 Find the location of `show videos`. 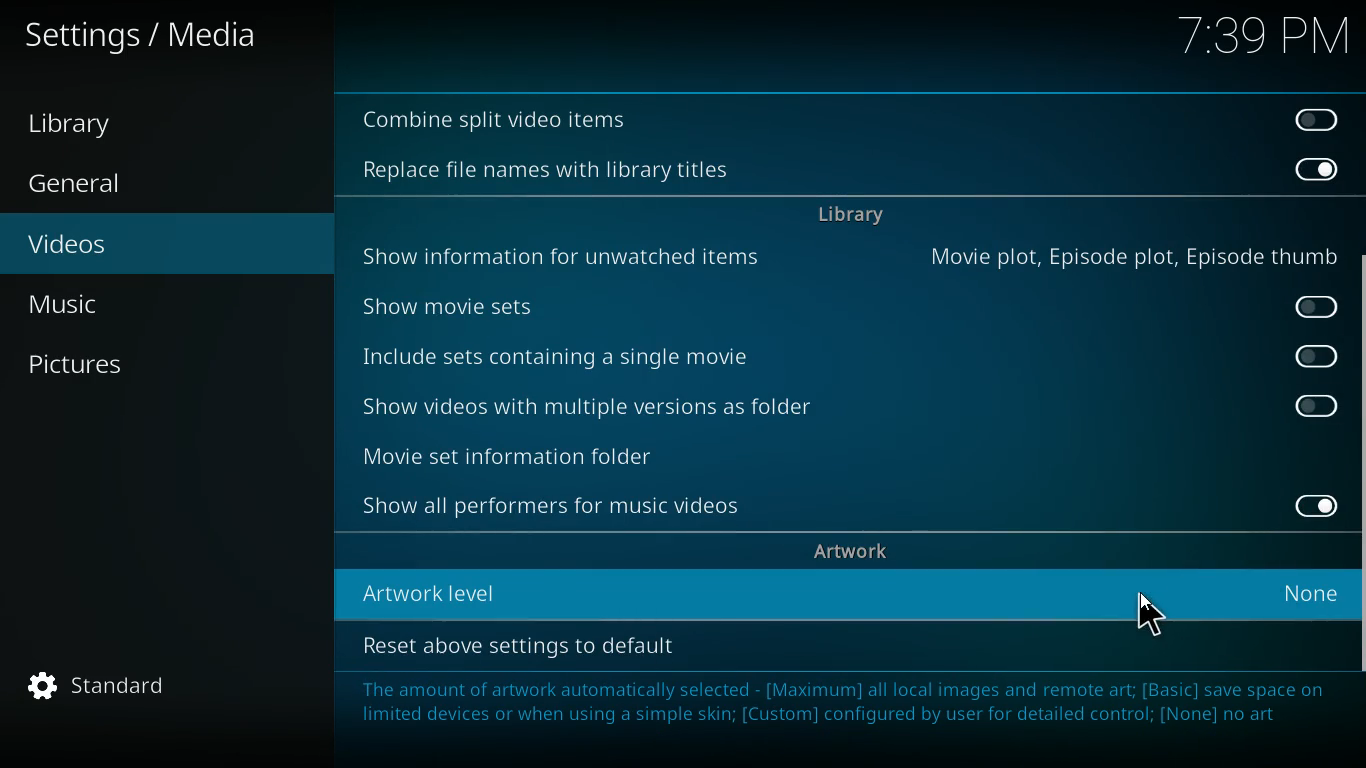

show videos is located at coordinates (604, 408).